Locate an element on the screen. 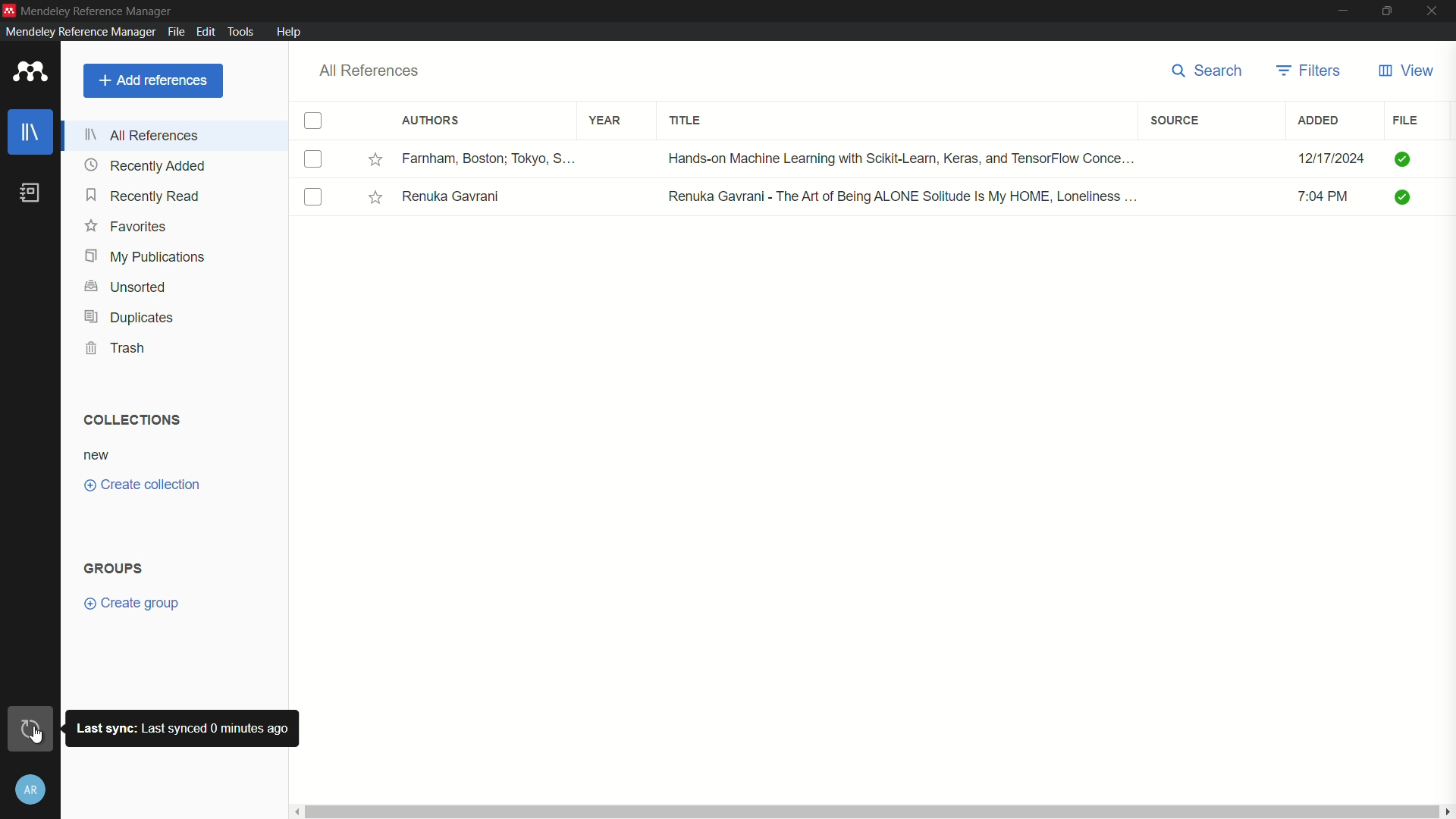 Image resolution: width=1456 pixels, height=819 pixels. time is located at coordinates (1327, 196).